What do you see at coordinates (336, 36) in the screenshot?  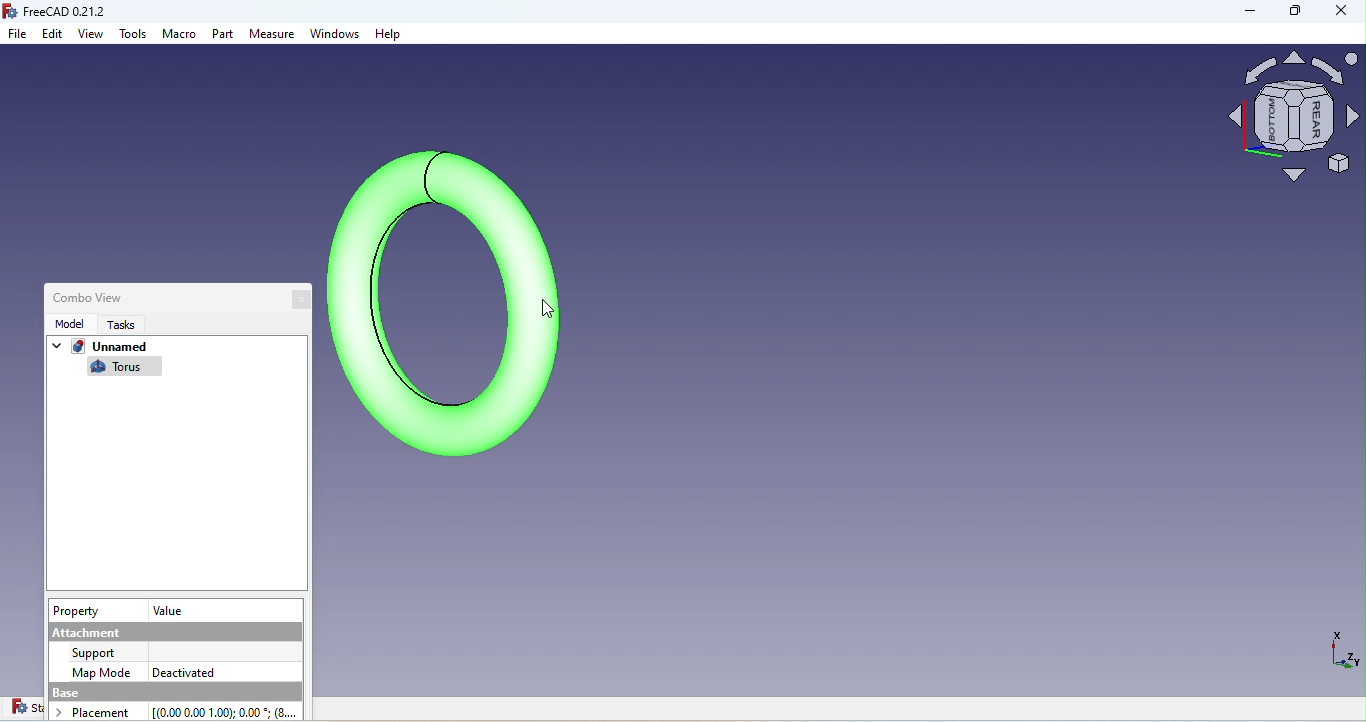 I see `Windows` at bounding box center [336, 36].